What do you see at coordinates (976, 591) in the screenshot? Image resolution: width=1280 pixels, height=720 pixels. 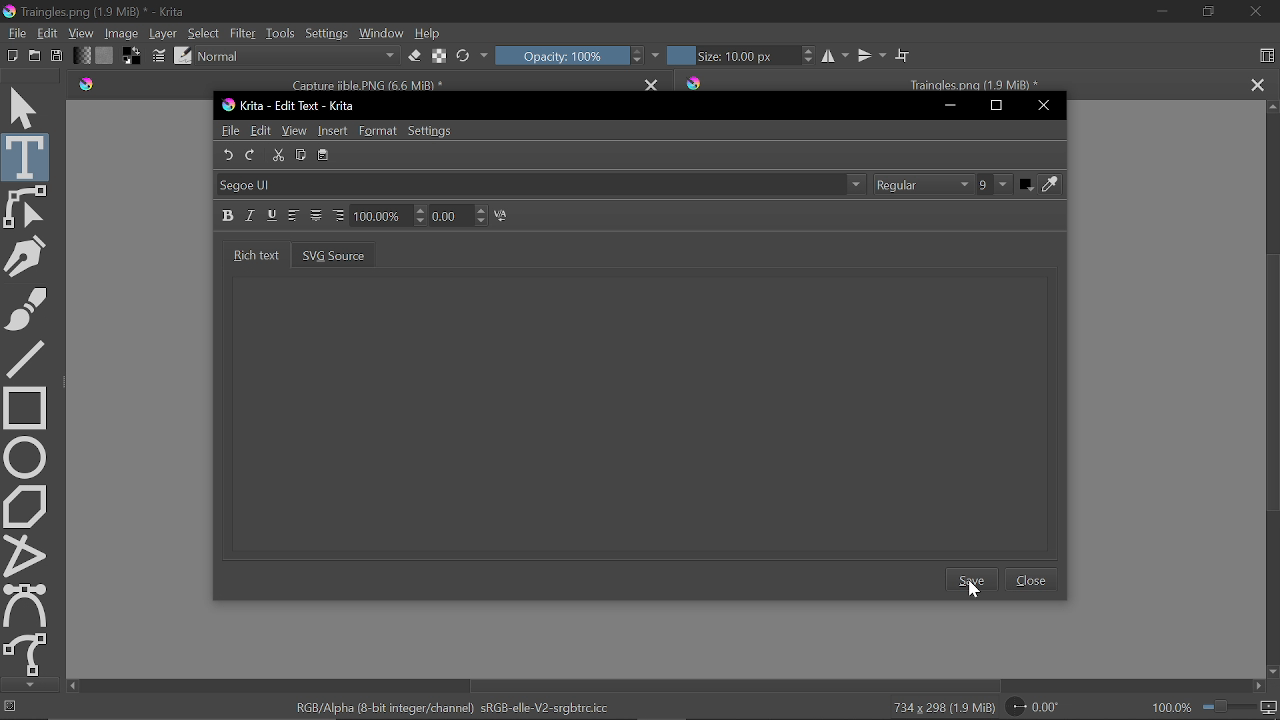 I see `Cursor` at bounding box center [976, 591].